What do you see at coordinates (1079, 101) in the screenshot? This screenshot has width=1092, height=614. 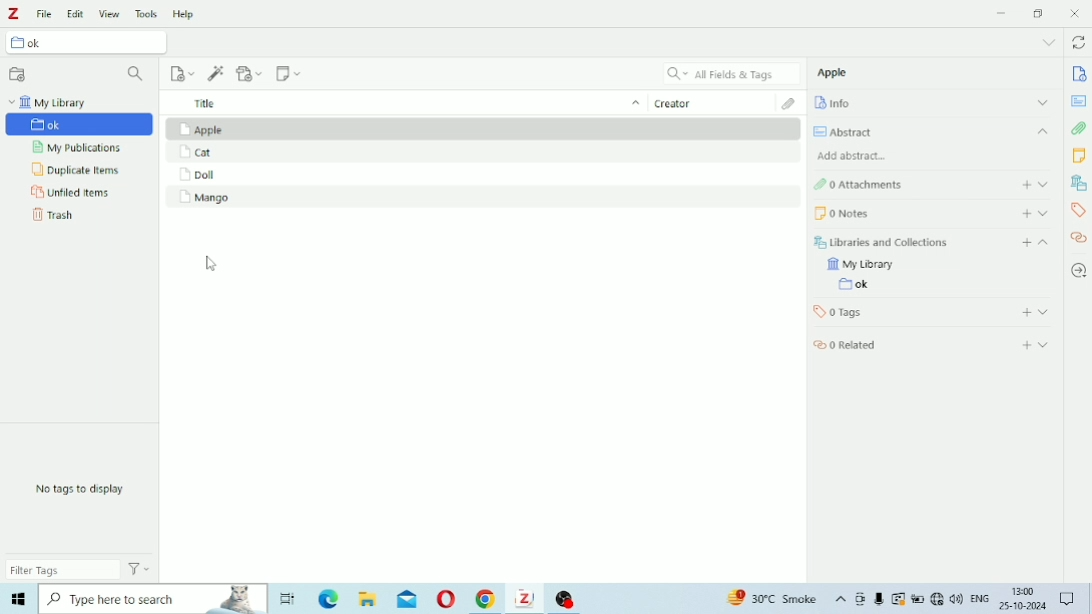 I see `Abstract` at bounding box center [1079, 101].